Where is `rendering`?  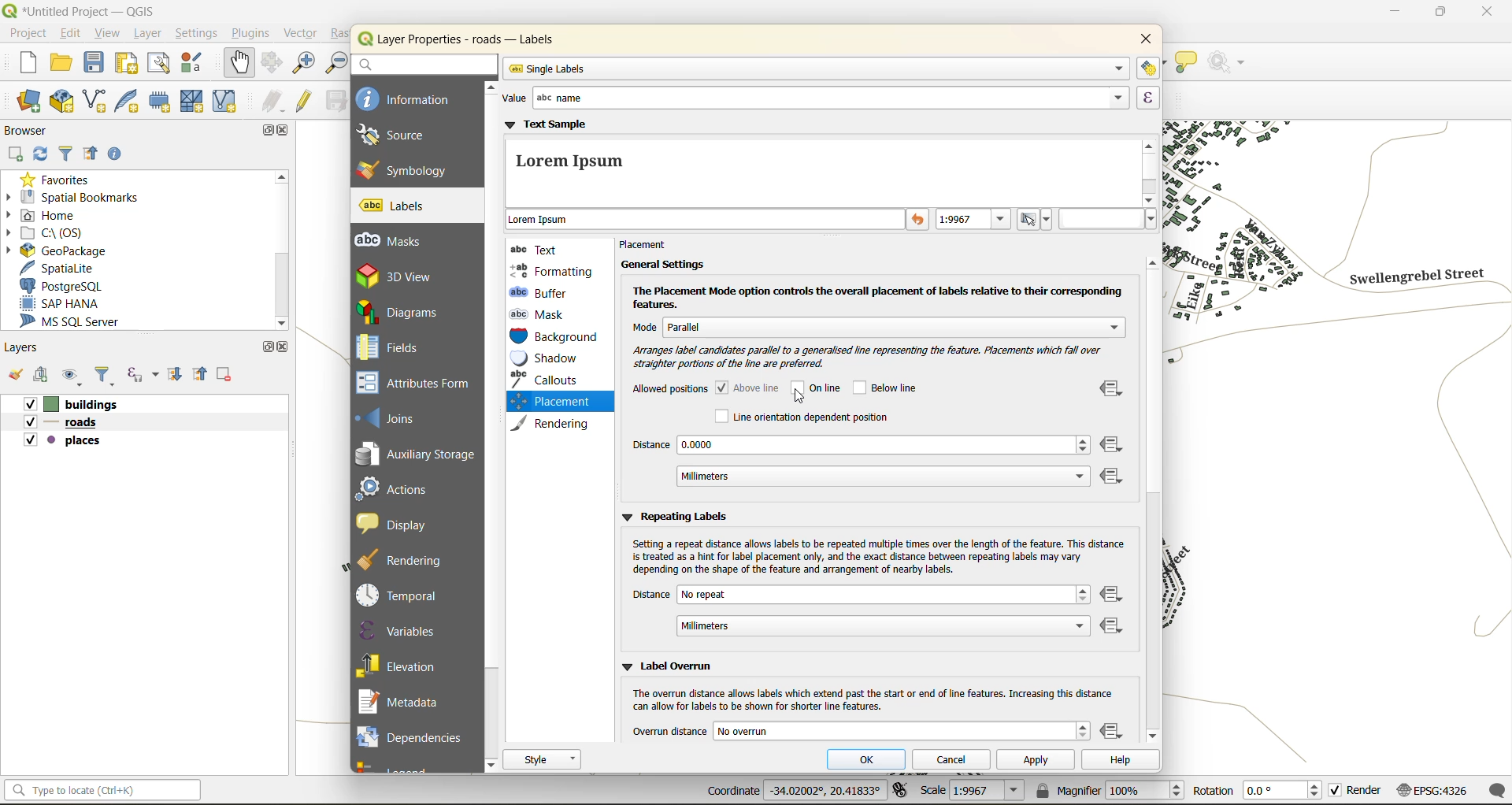 rendering is located at coordinates (409, 560).